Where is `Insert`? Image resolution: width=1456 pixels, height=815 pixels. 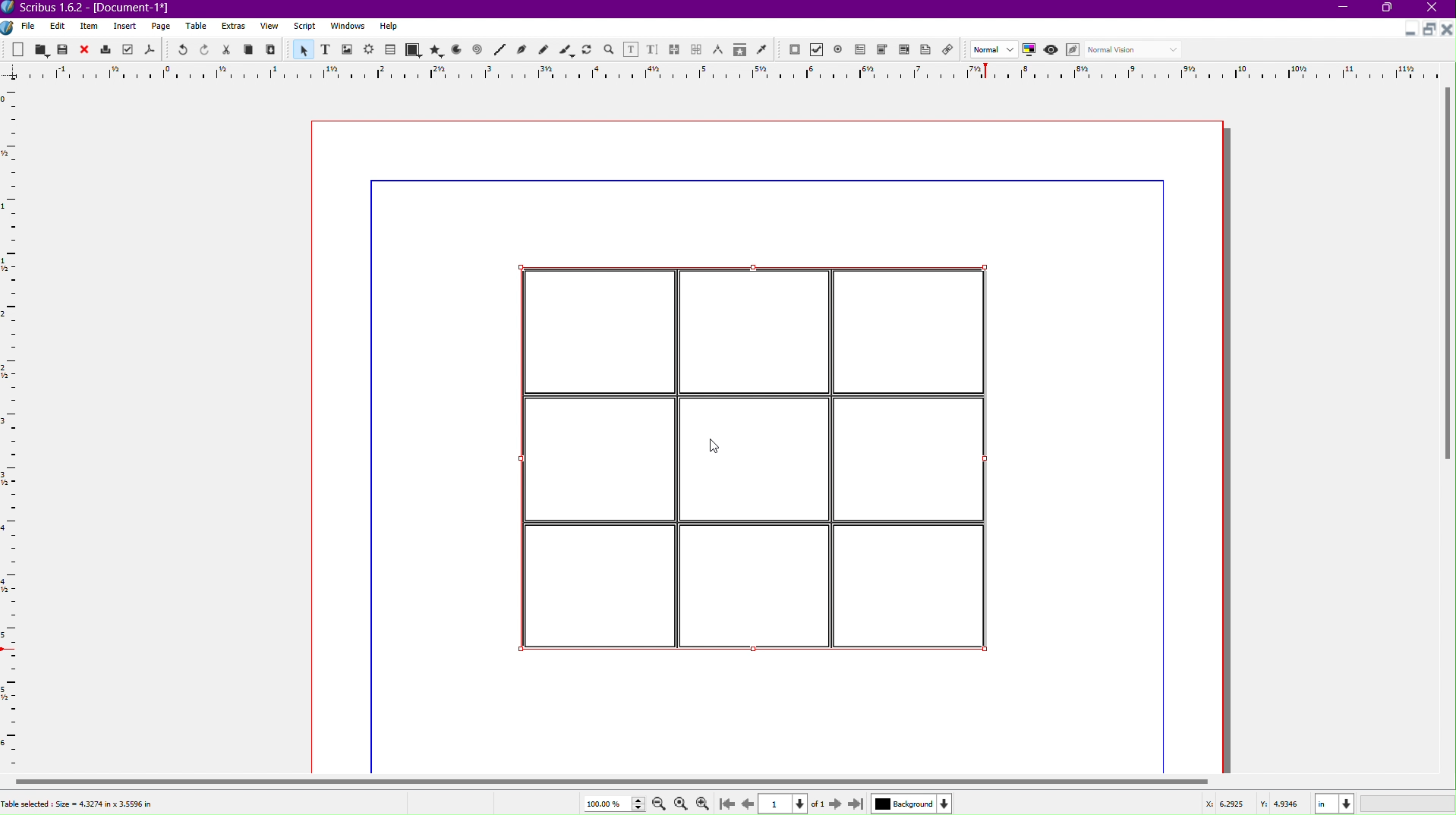
Insert is located at coordinates (125, 27).